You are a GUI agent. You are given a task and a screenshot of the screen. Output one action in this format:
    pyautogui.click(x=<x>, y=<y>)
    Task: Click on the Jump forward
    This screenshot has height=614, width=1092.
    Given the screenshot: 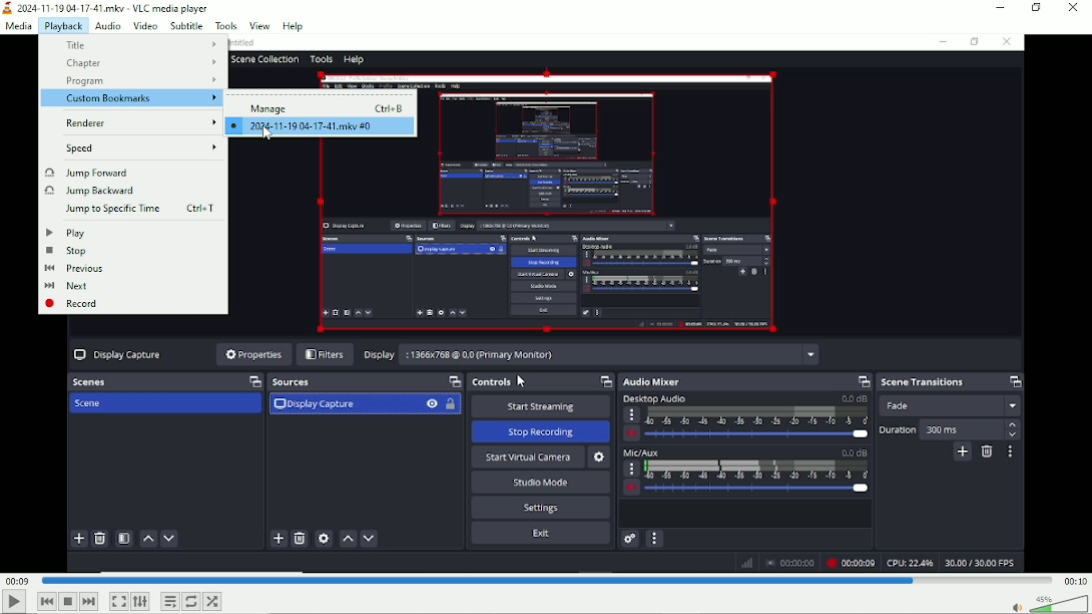 What is the action you would take?
    pyautogui.click(x=86, y=173)
    